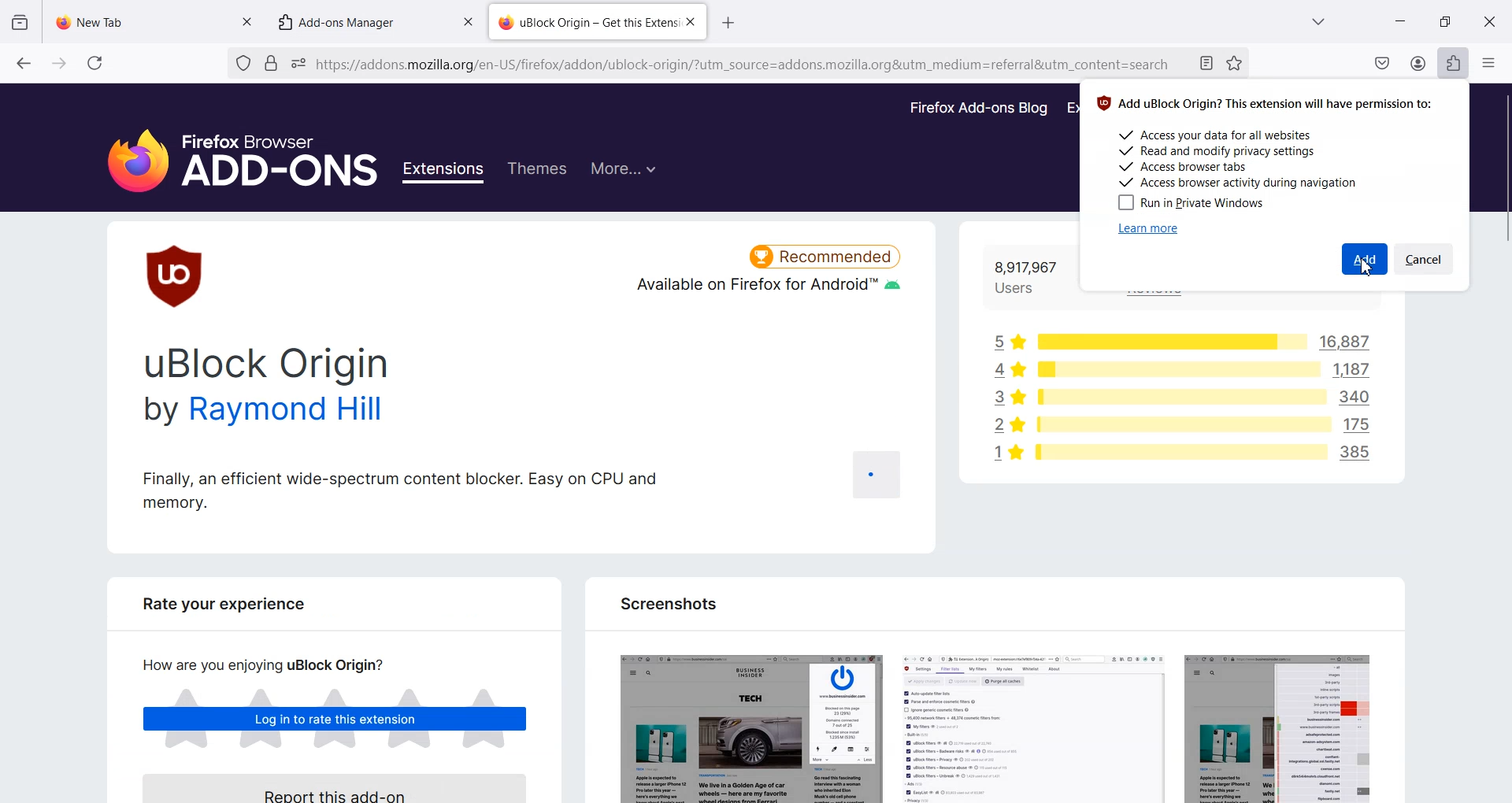 The image size is (1512, 803). What do you see at coordinates (140, 18) in the screenshot?
I see `New Tab` at bounding box center [140, 18].